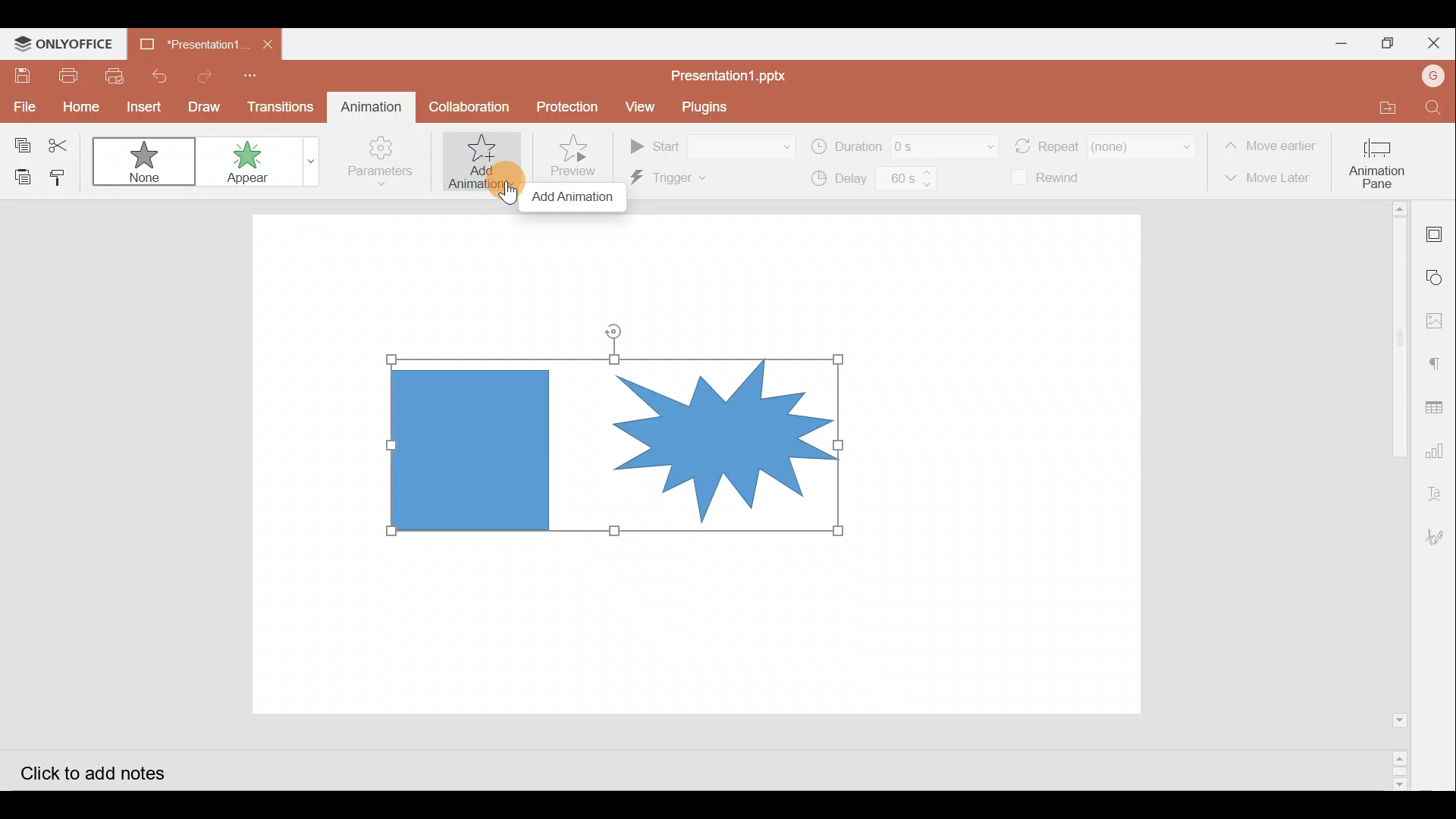 The image size is (1456, 819). Describe the element at coordinates (569, 108) in the screenshot. I see `Protection` at that location.